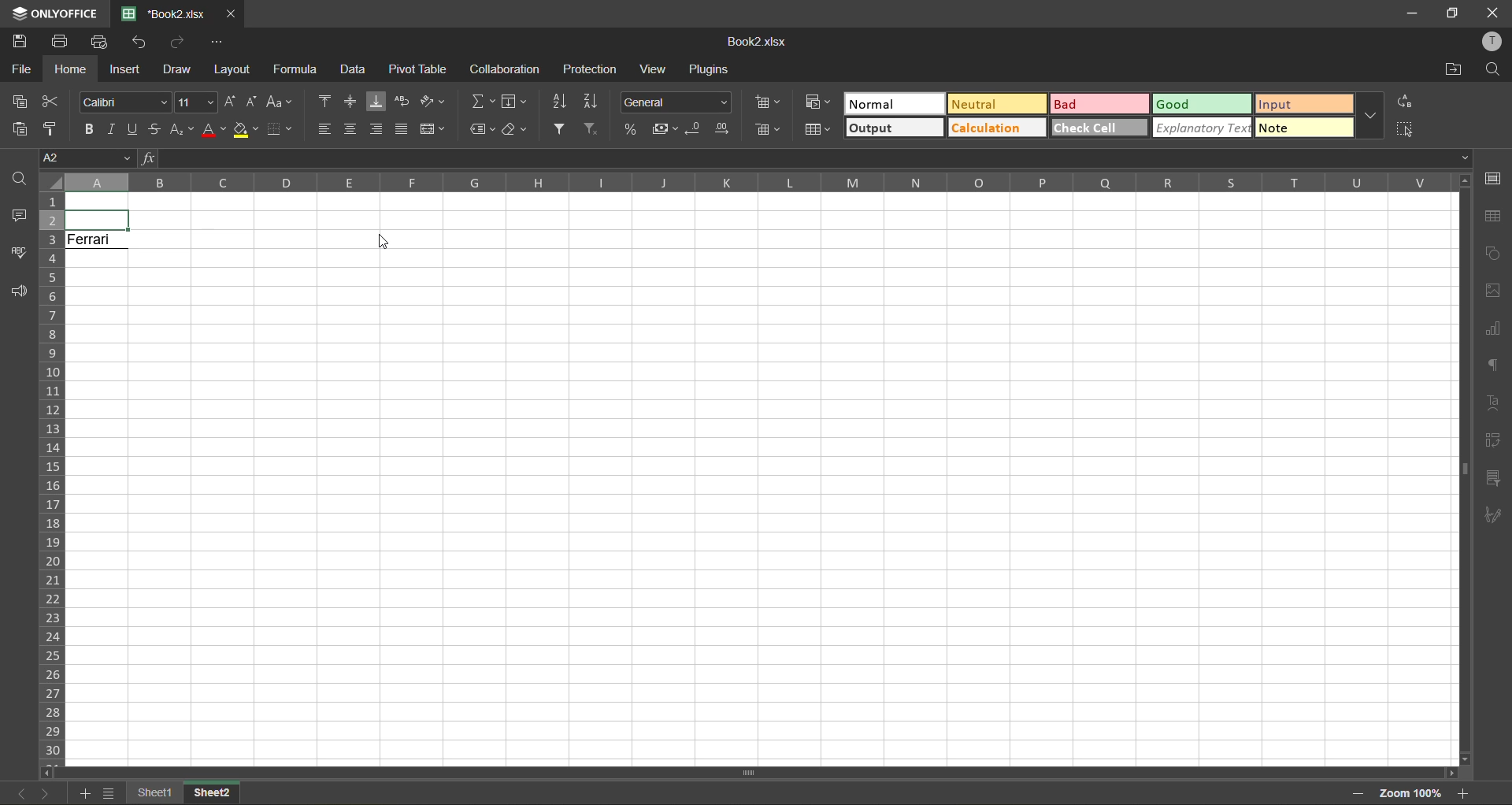 This screenshot has width=1512, height=805. I want to click on more options, so click(1373, 117).